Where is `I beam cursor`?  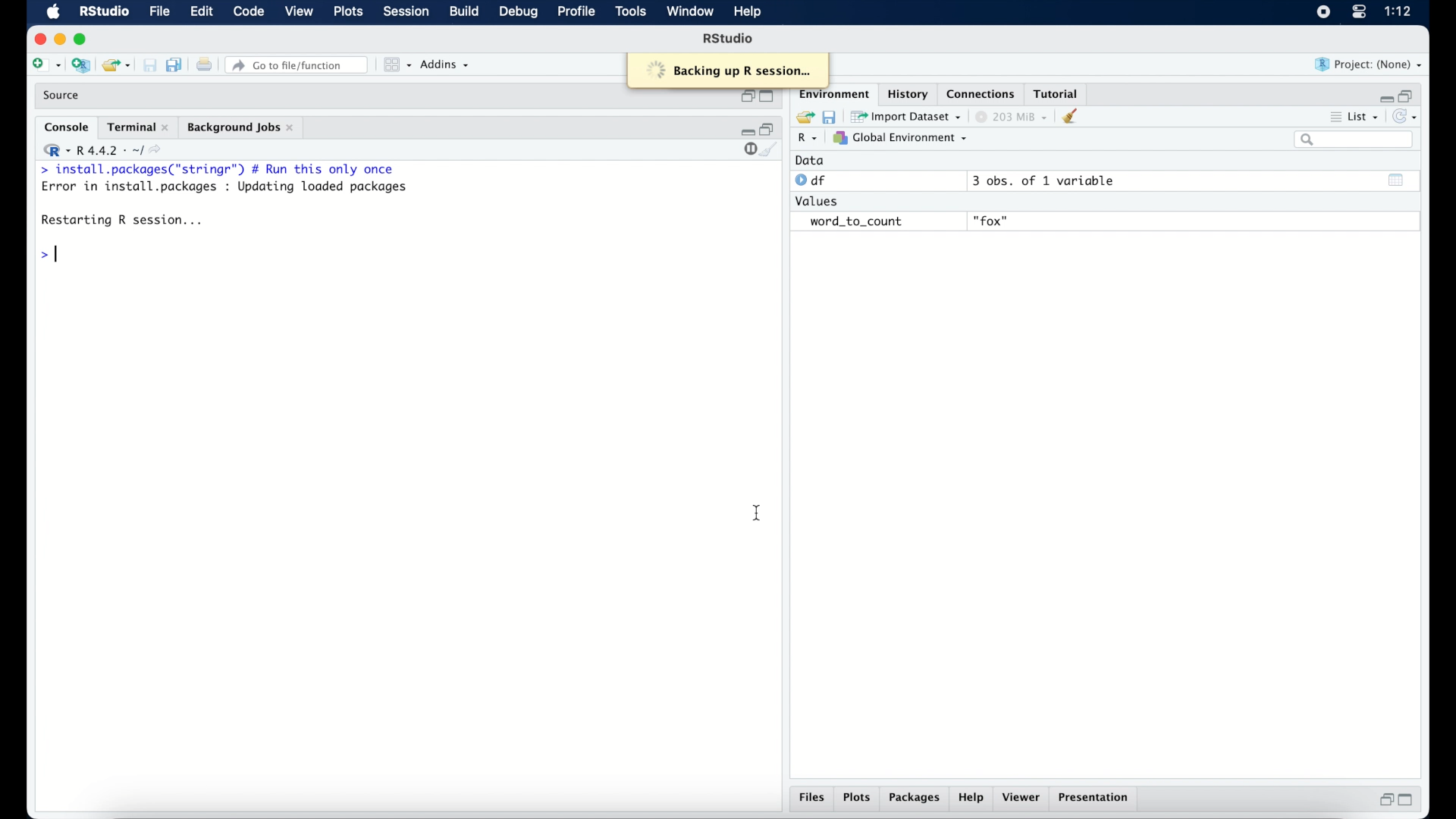
I beam cursor is located at coordinates (760, 514).